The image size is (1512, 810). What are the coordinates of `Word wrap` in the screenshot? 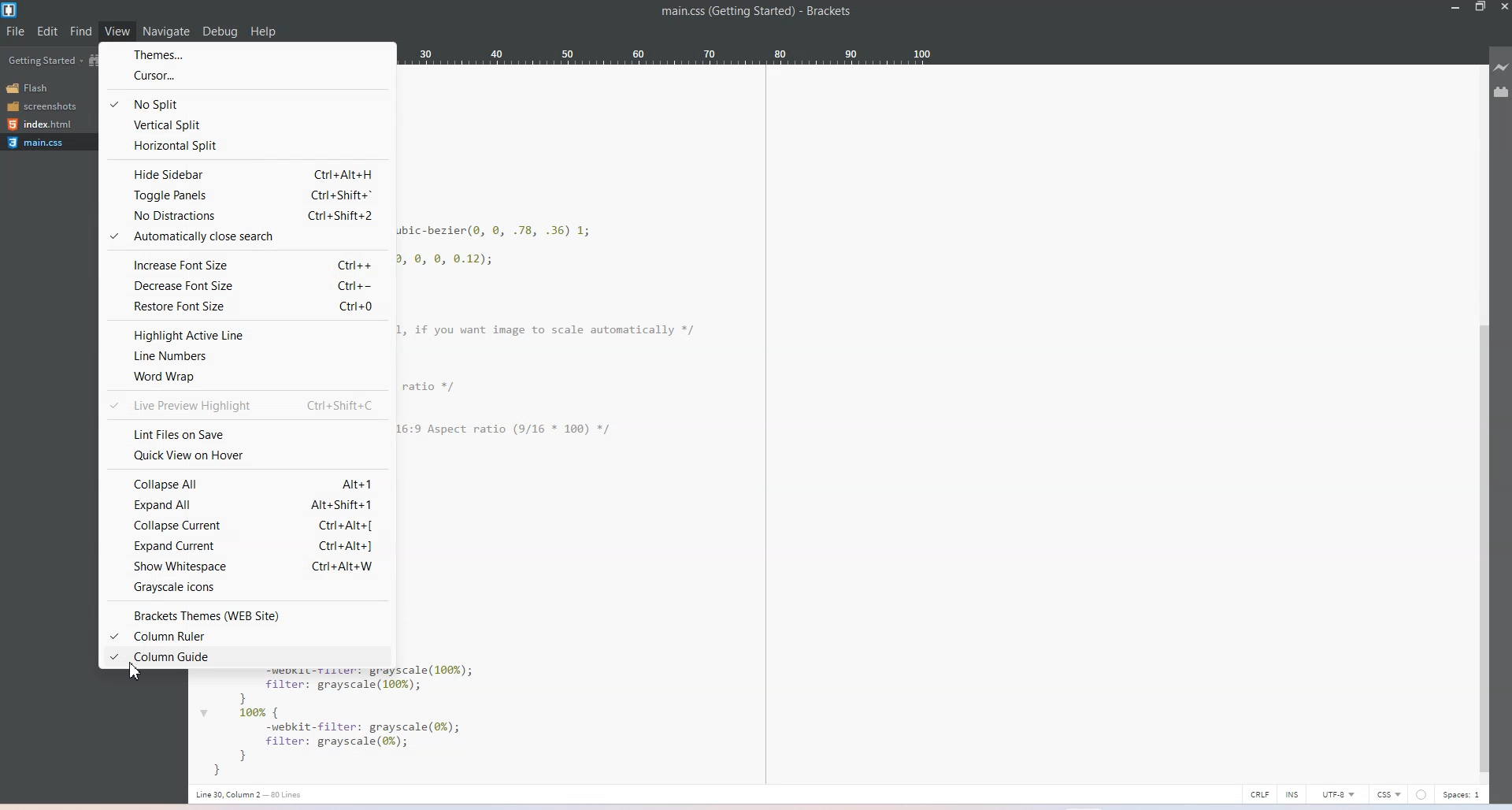 It's located at (245, 377).